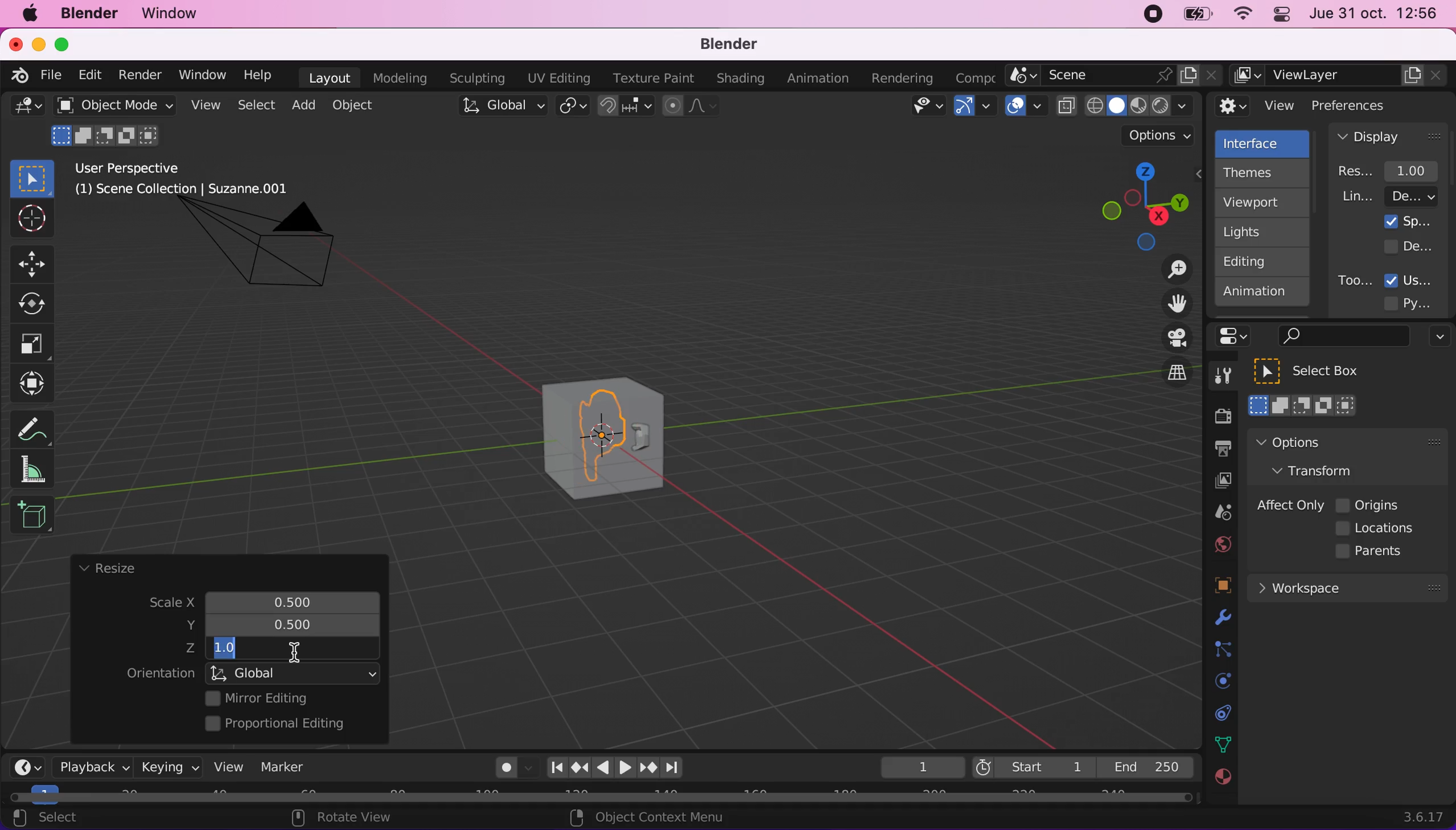 Image resolution: width=1456 pixels, height=830 pixels. What do you see at coordinates (37, 426) in the screenshot?
I see `annotate` at bounding box center [37, 426].